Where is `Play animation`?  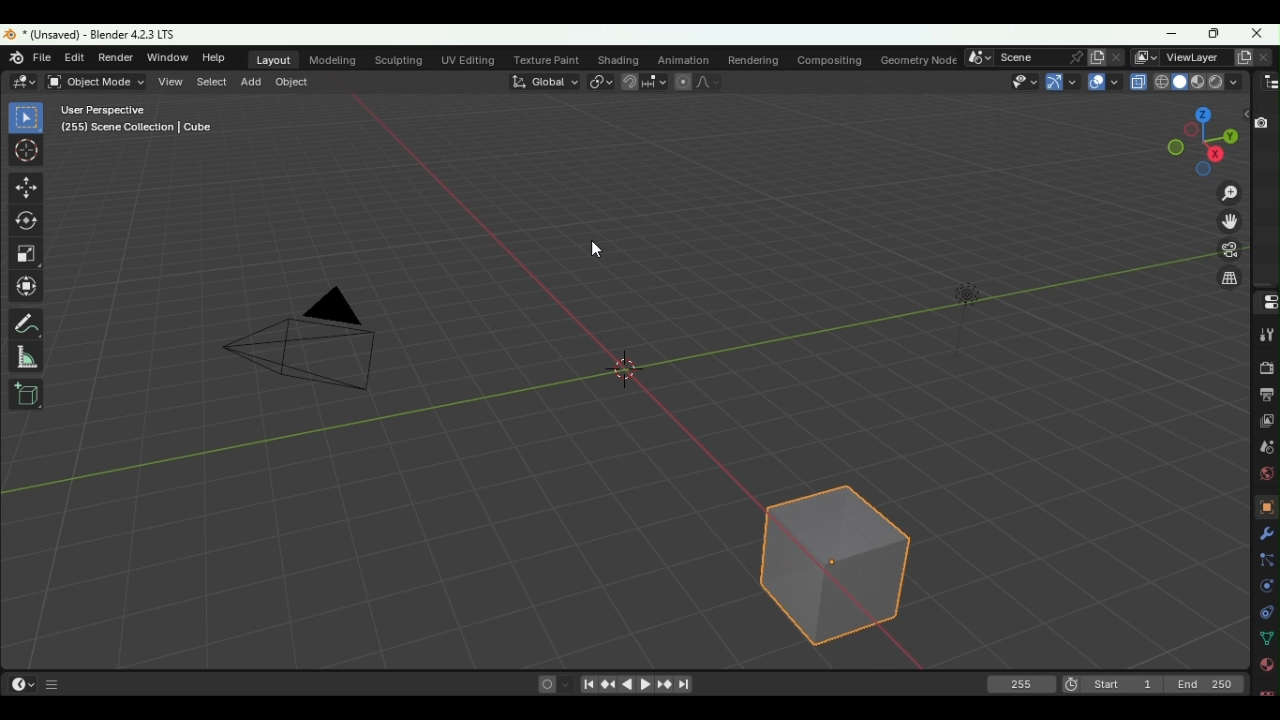
Play animation is located at coordinates (629, 685).